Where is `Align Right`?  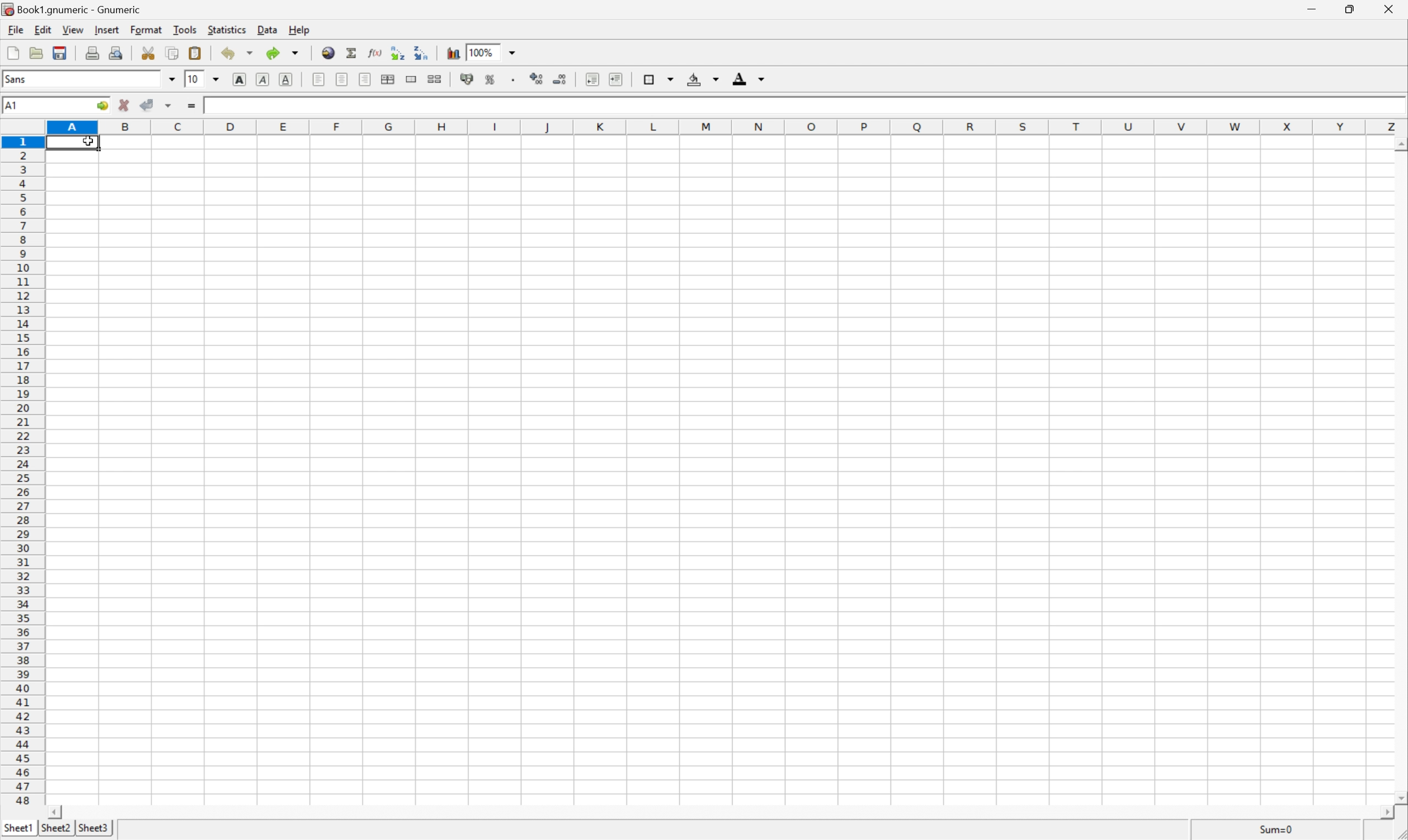
Align Right is located at coordinates (366, 79).